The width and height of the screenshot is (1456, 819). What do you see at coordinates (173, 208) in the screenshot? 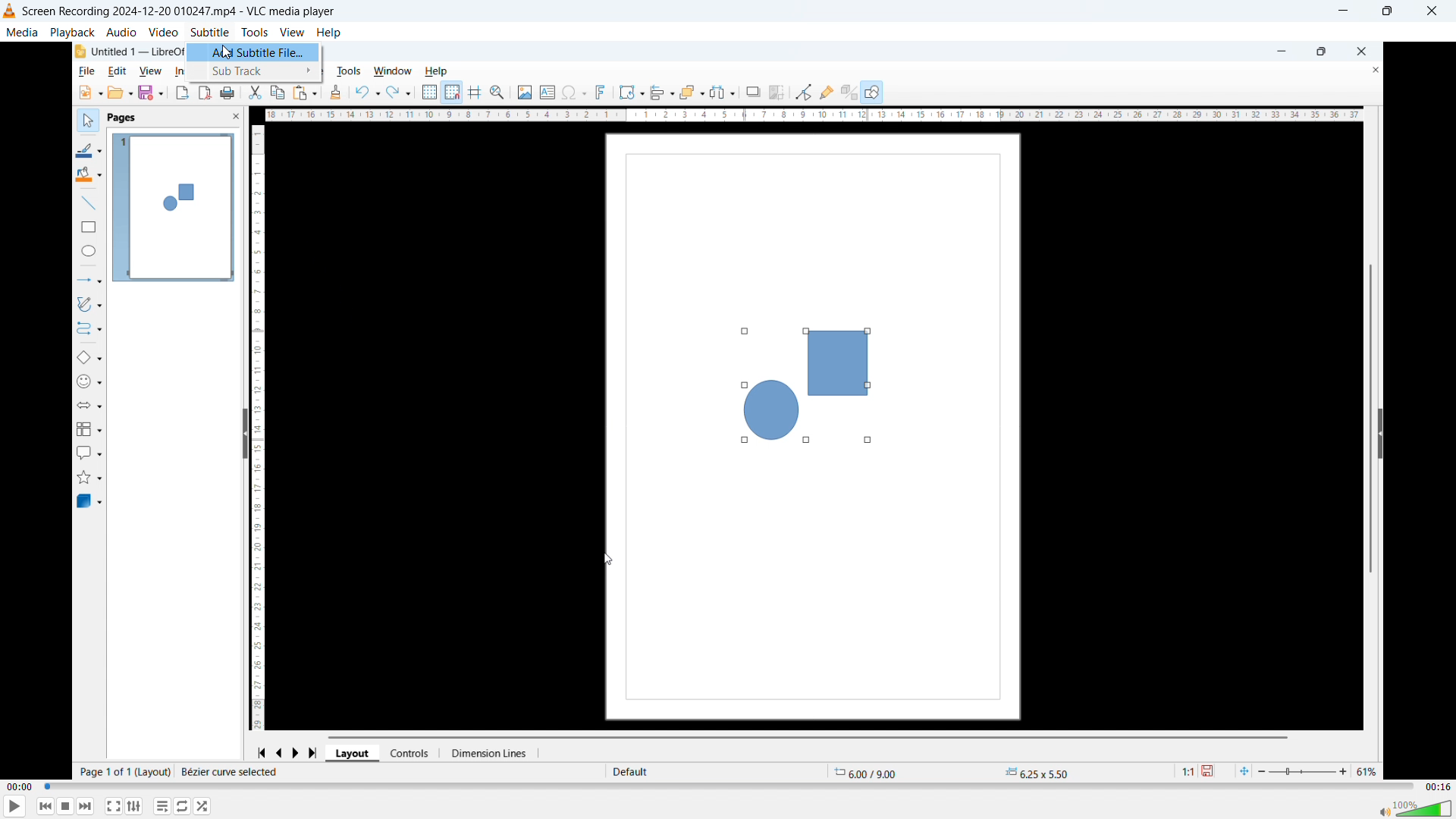
I see `page preview` at bounding box center [173, 208].